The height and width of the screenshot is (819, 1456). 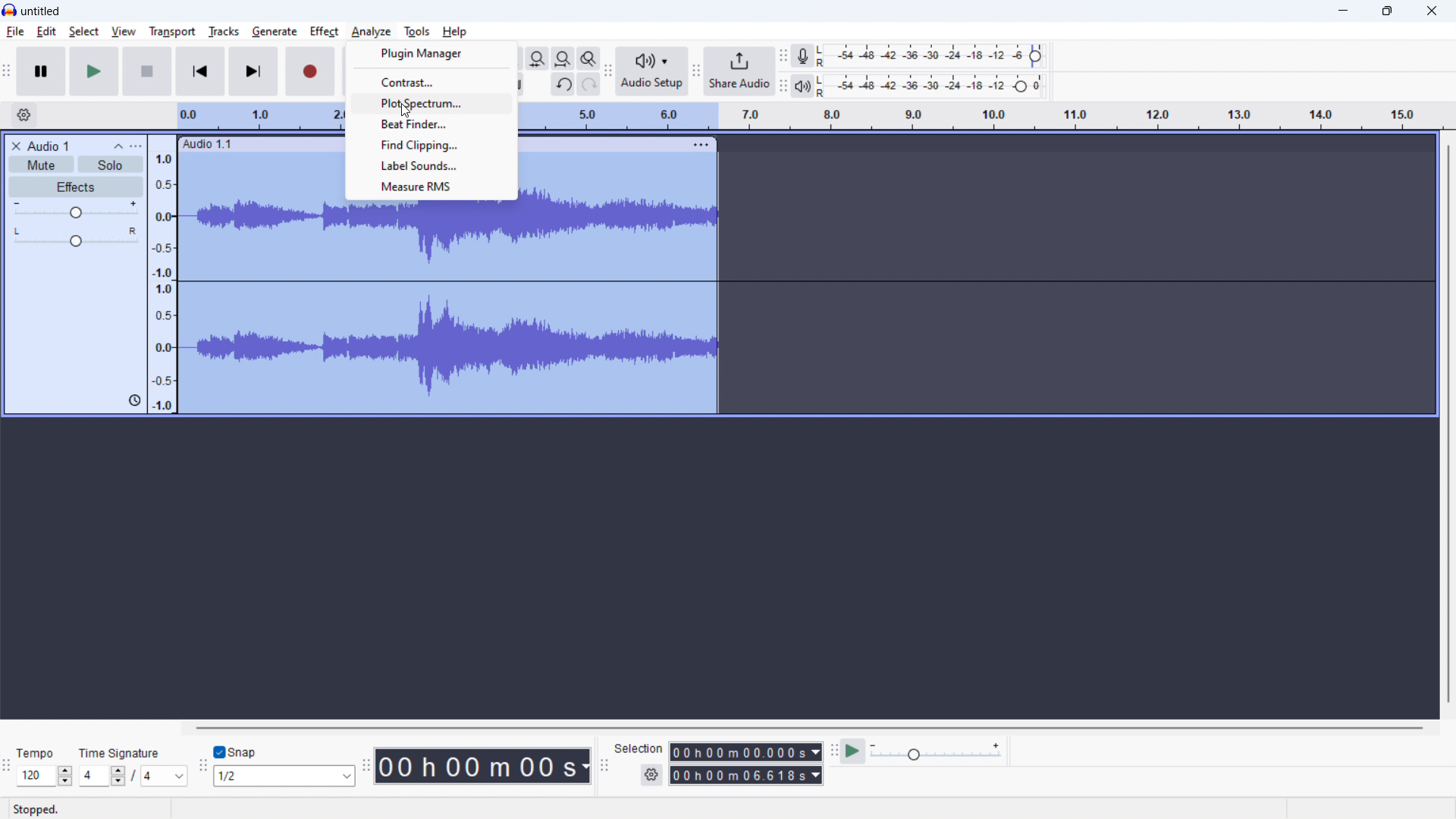 What do you see at coordinates (417, 31) in the screenshot?
I see `tools` at bounding box center [417, 31].